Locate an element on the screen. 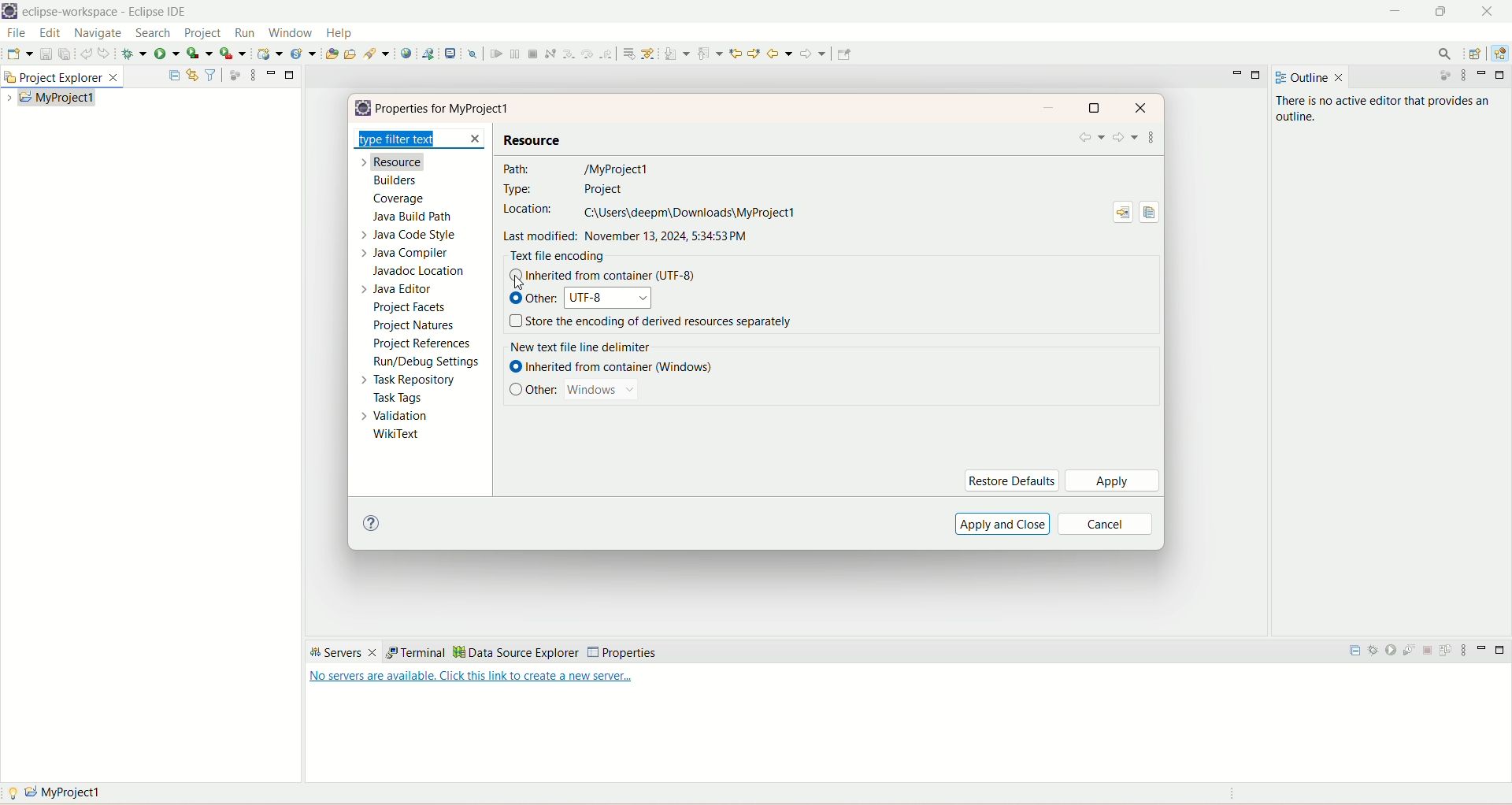 This screenshot has height=805, width=1512. edit is located at coordinates (48, 33).